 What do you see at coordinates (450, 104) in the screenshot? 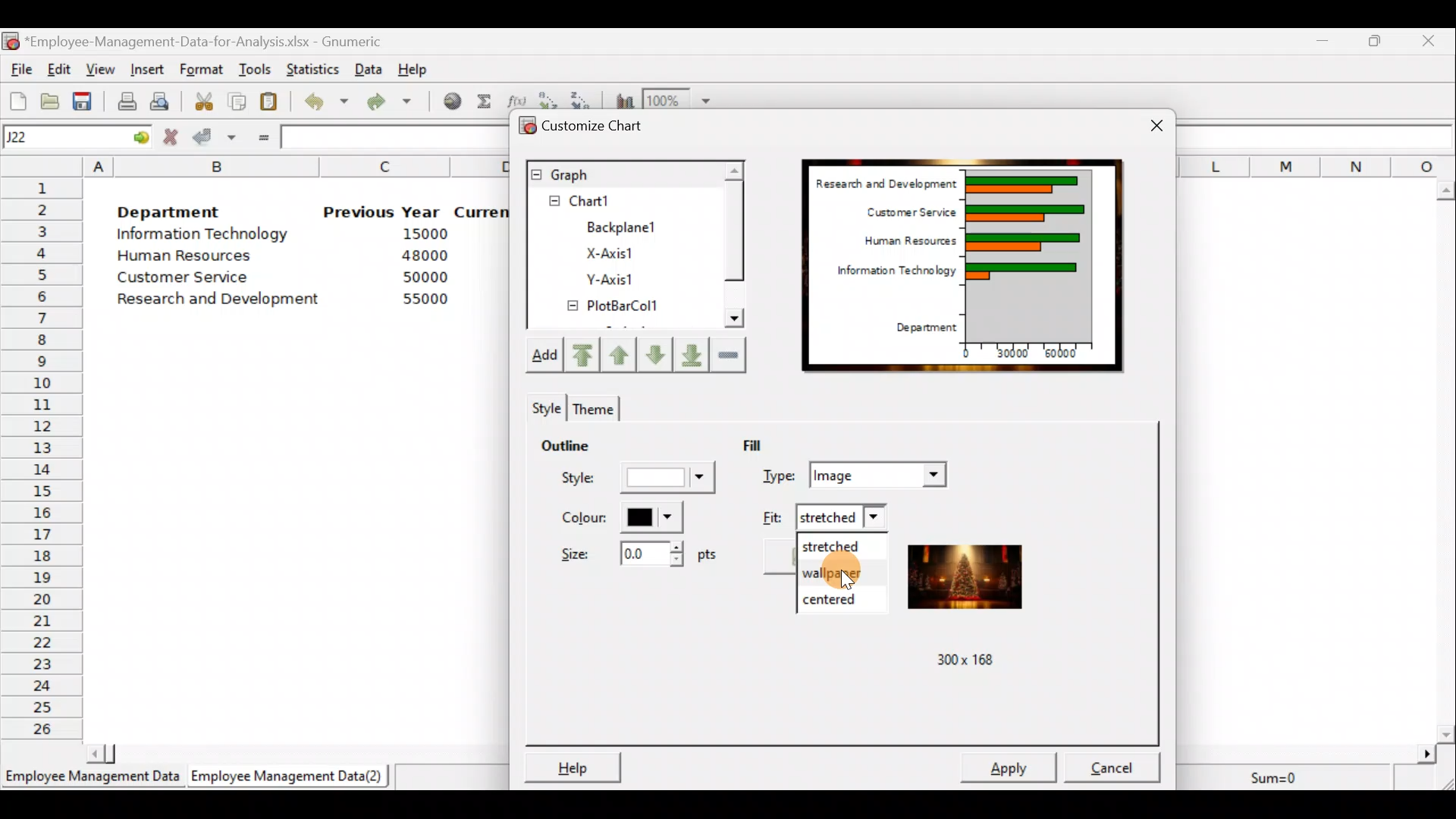
I see `Insert hyperlink` at bounding box center [450, 104].